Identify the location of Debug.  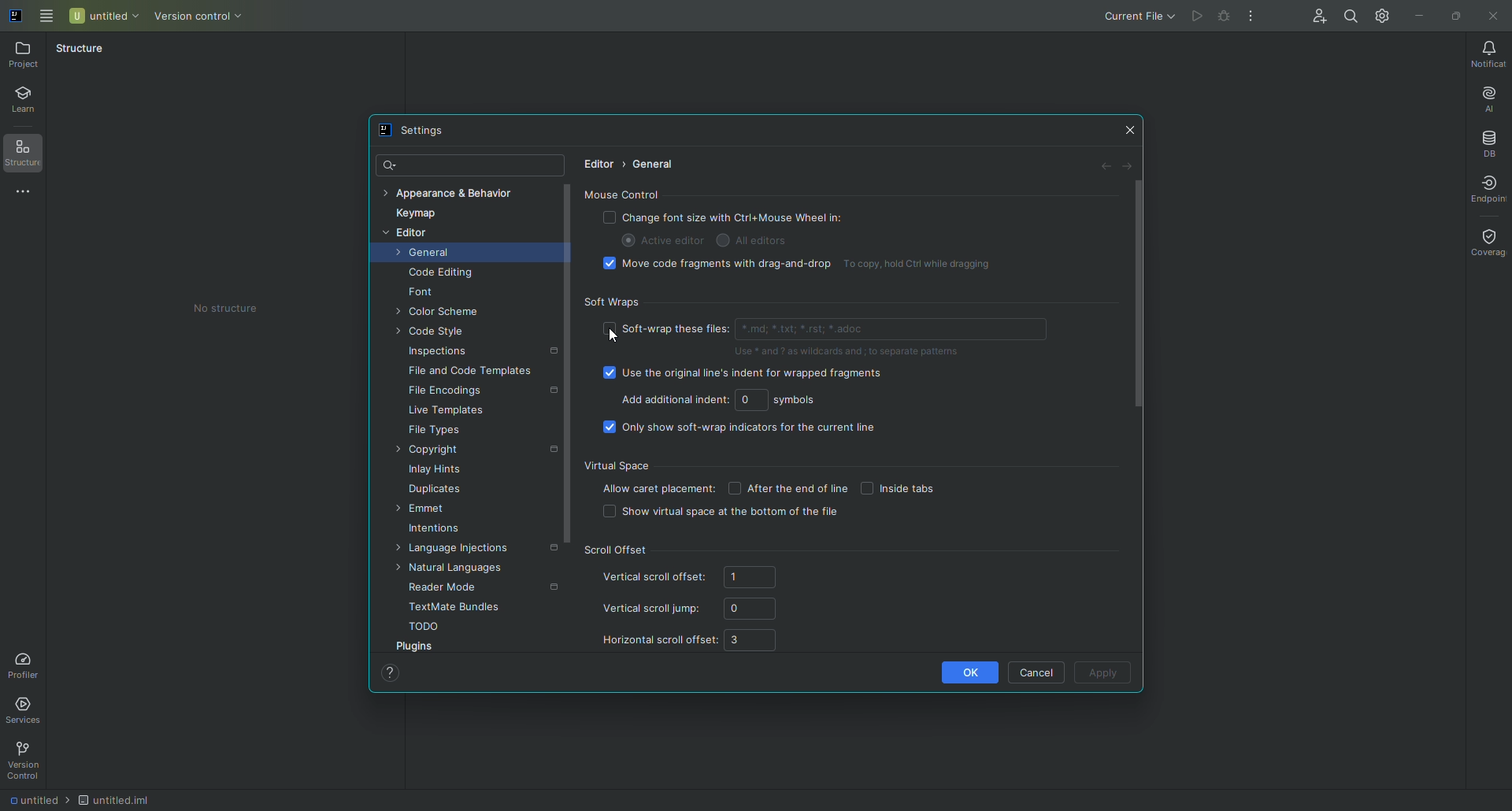
(1222, 17).